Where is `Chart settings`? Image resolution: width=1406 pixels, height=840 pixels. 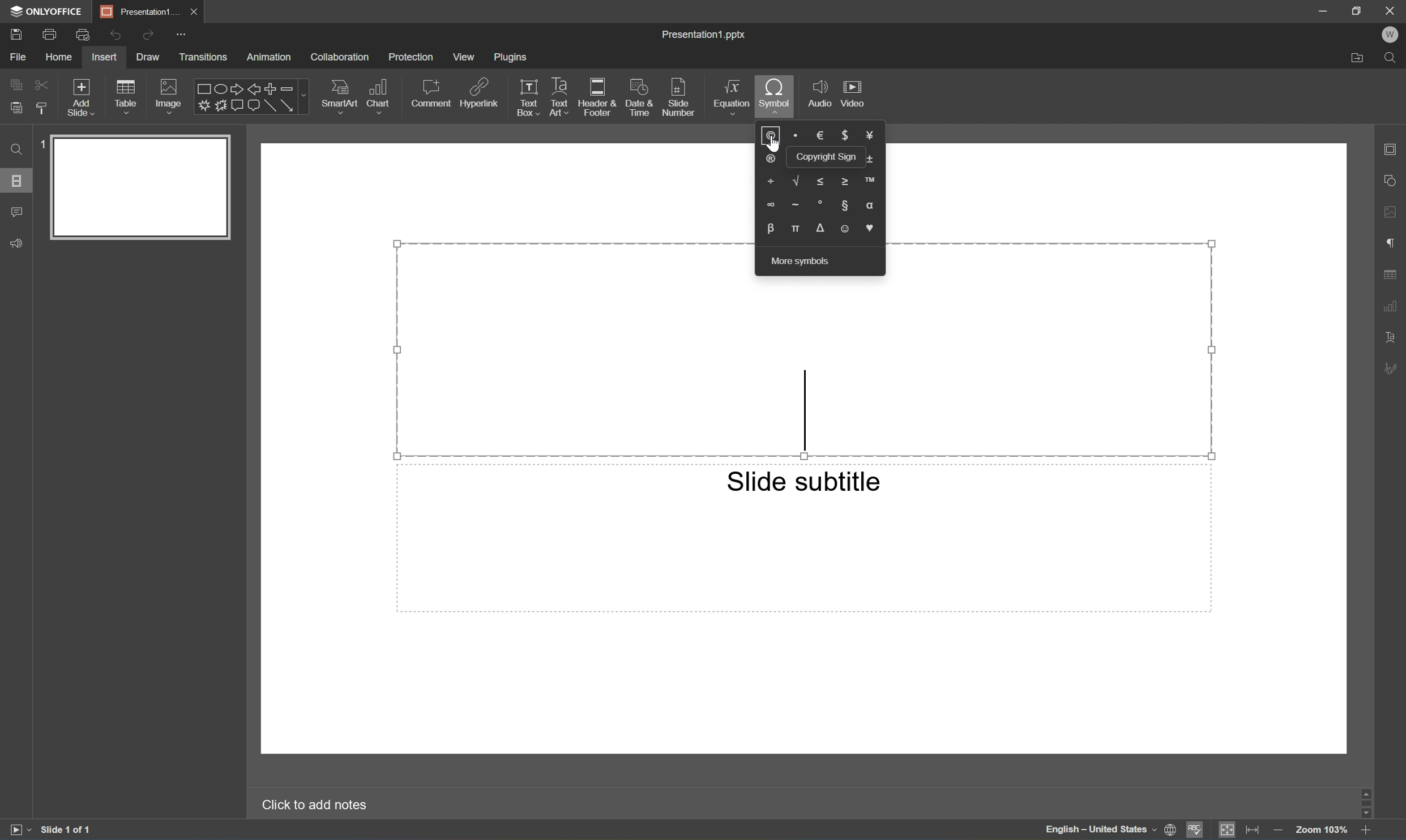
Chart settings is located at coordinates (1391, 307).